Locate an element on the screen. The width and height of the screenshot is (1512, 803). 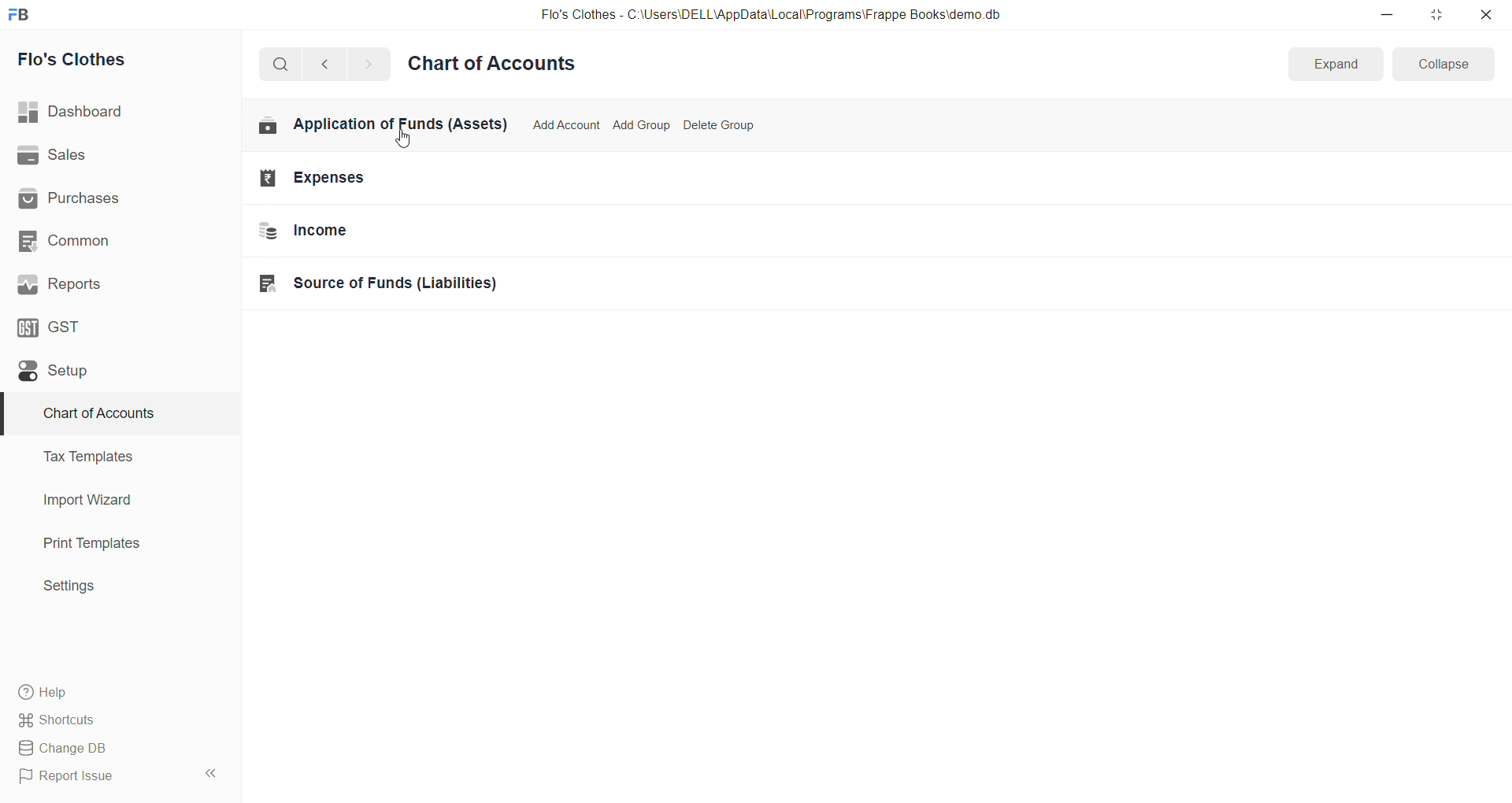
Reports is located at coordinates (113, 284).